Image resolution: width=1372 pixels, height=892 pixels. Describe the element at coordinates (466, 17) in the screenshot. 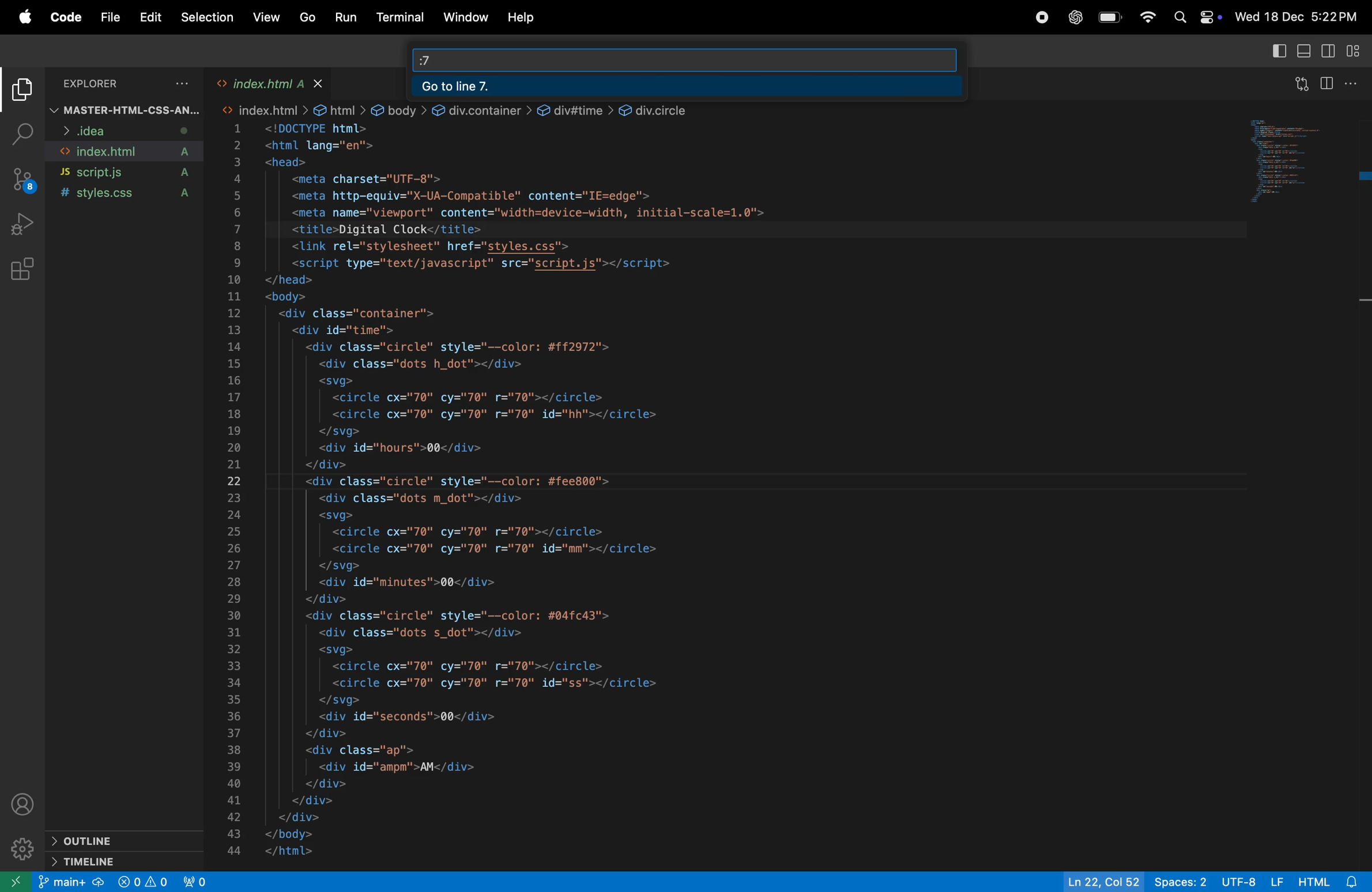

I see `window` at that location.